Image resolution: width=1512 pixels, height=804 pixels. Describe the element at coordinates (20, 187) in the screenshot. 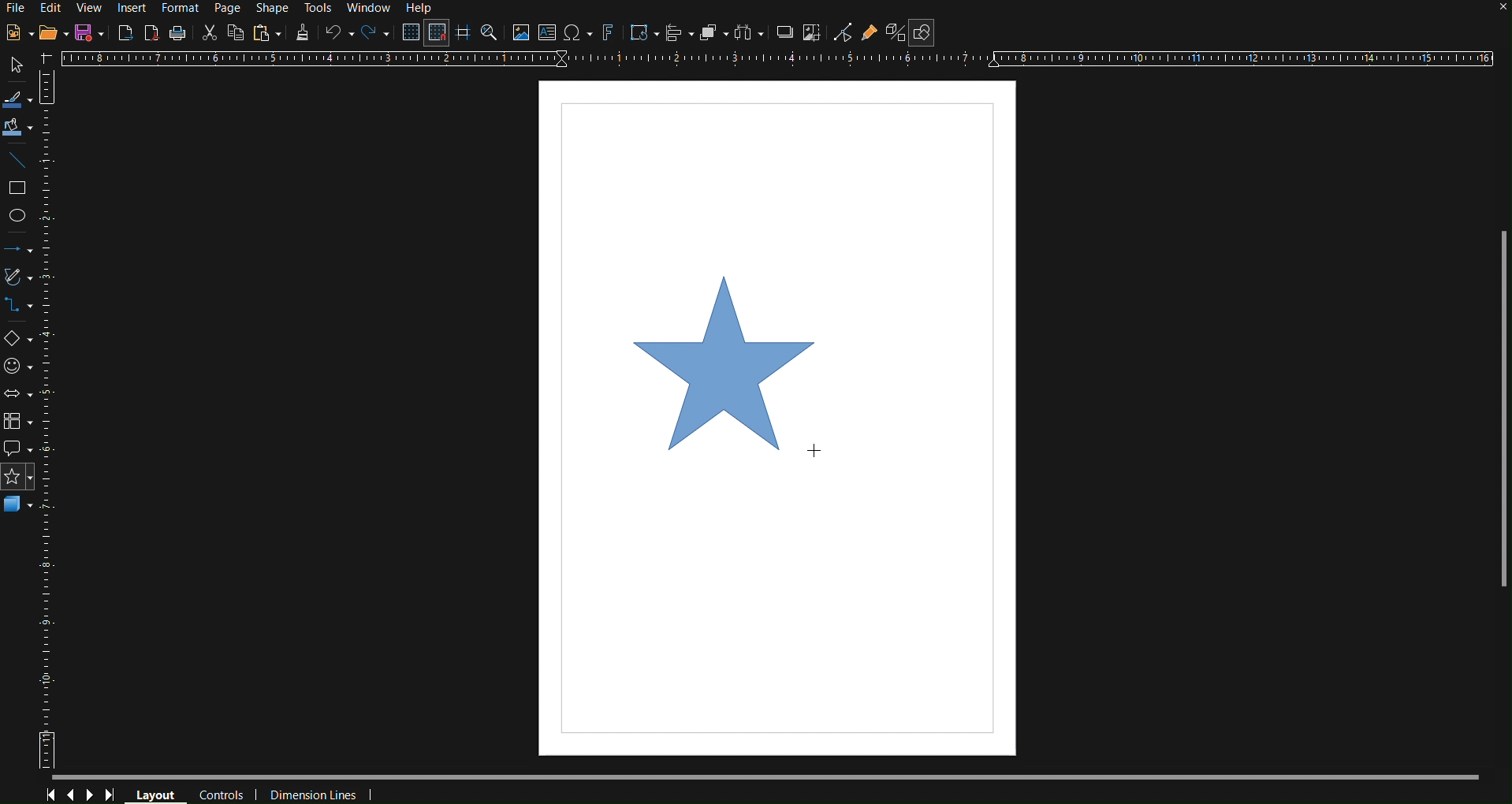

I see `Square` at that location.